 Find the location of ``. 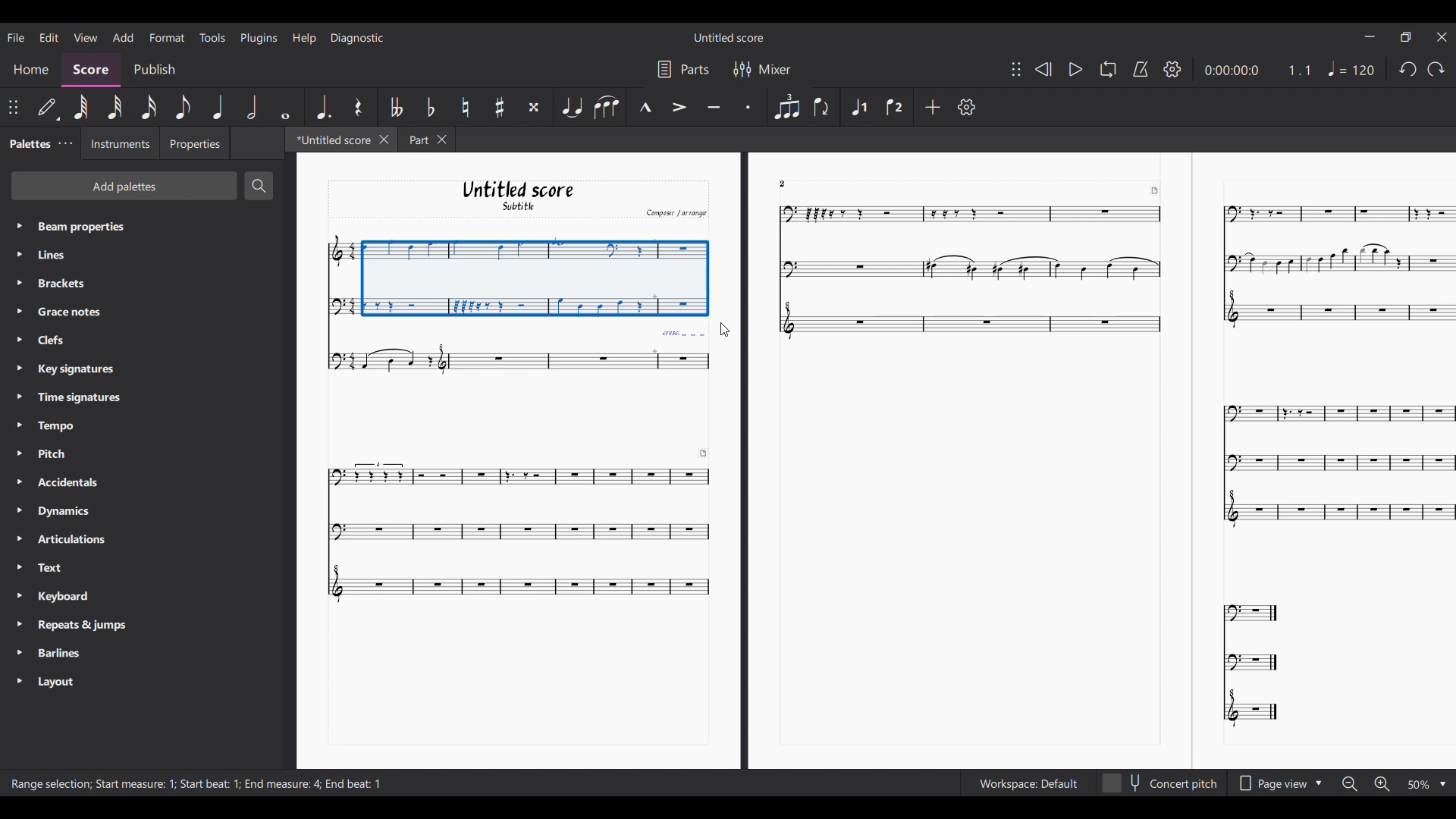

 is located at coordinates (523, 362).